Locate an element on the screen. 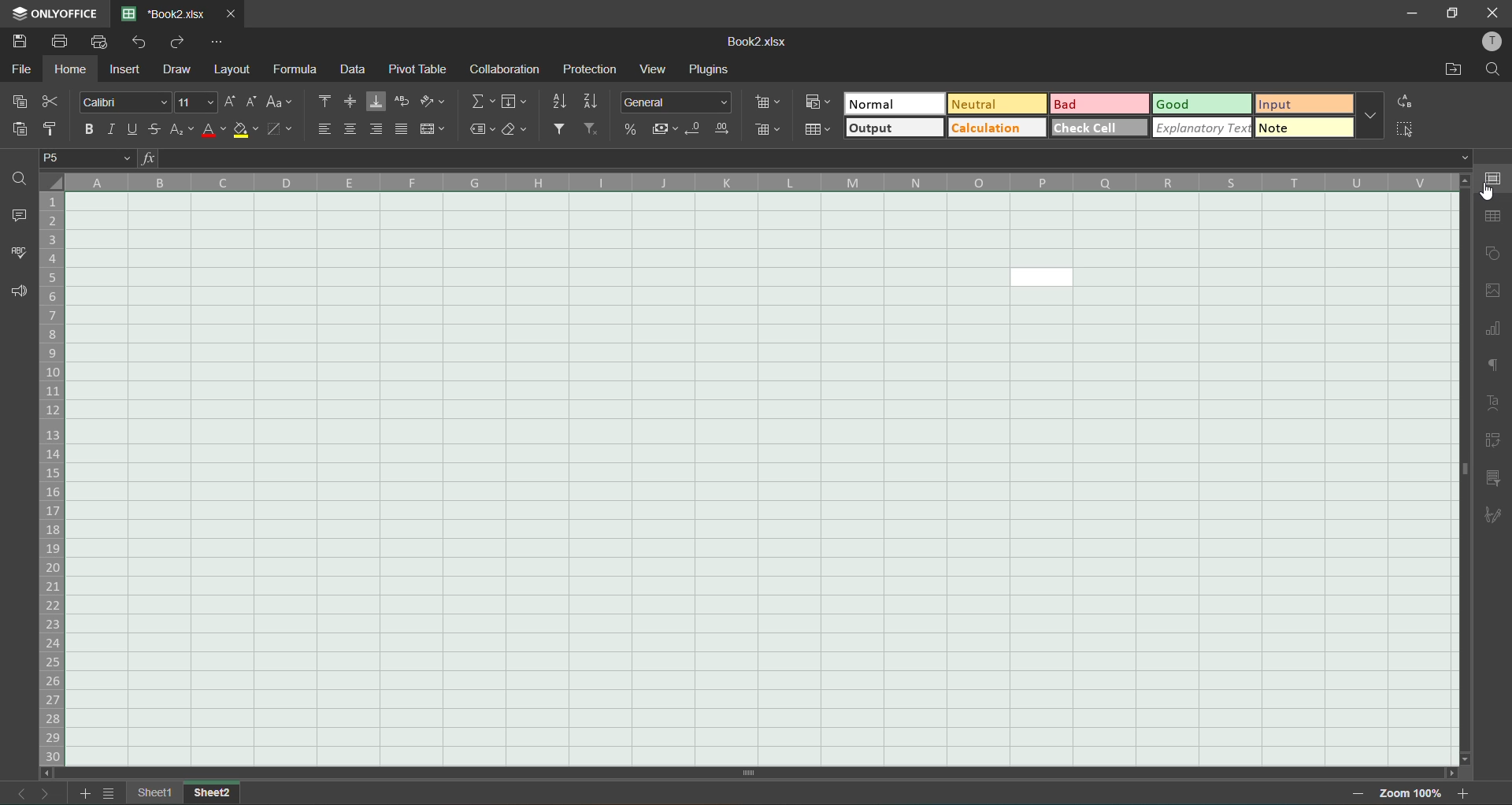 The height and width of the screenshot is (805, 1512). copy style is located at coordinates (55, 129).